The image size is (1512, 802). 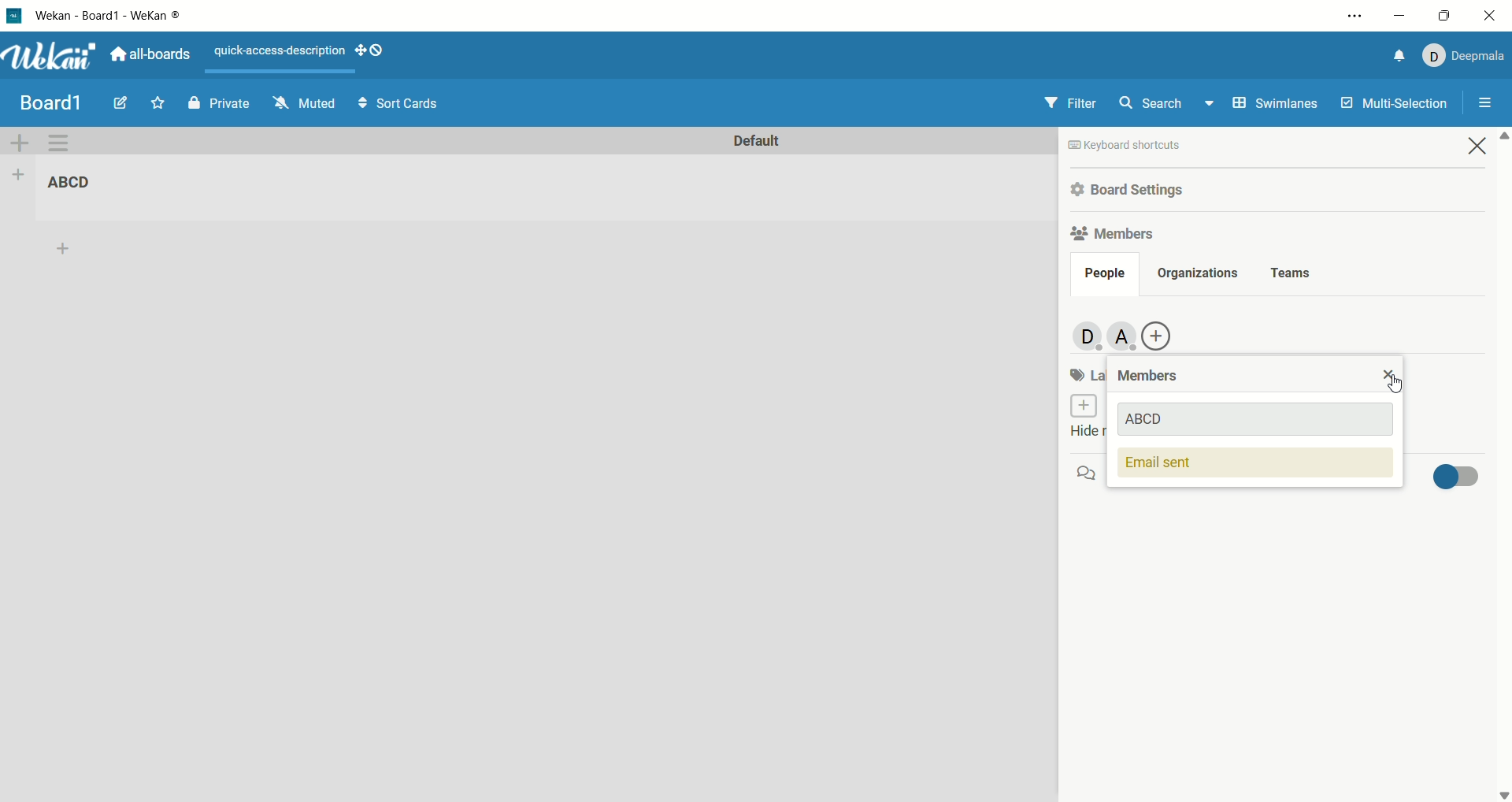 What do you see at coordinates (79, 184) in the screenshot?
I see `list title` at bounding box center [79, 184].